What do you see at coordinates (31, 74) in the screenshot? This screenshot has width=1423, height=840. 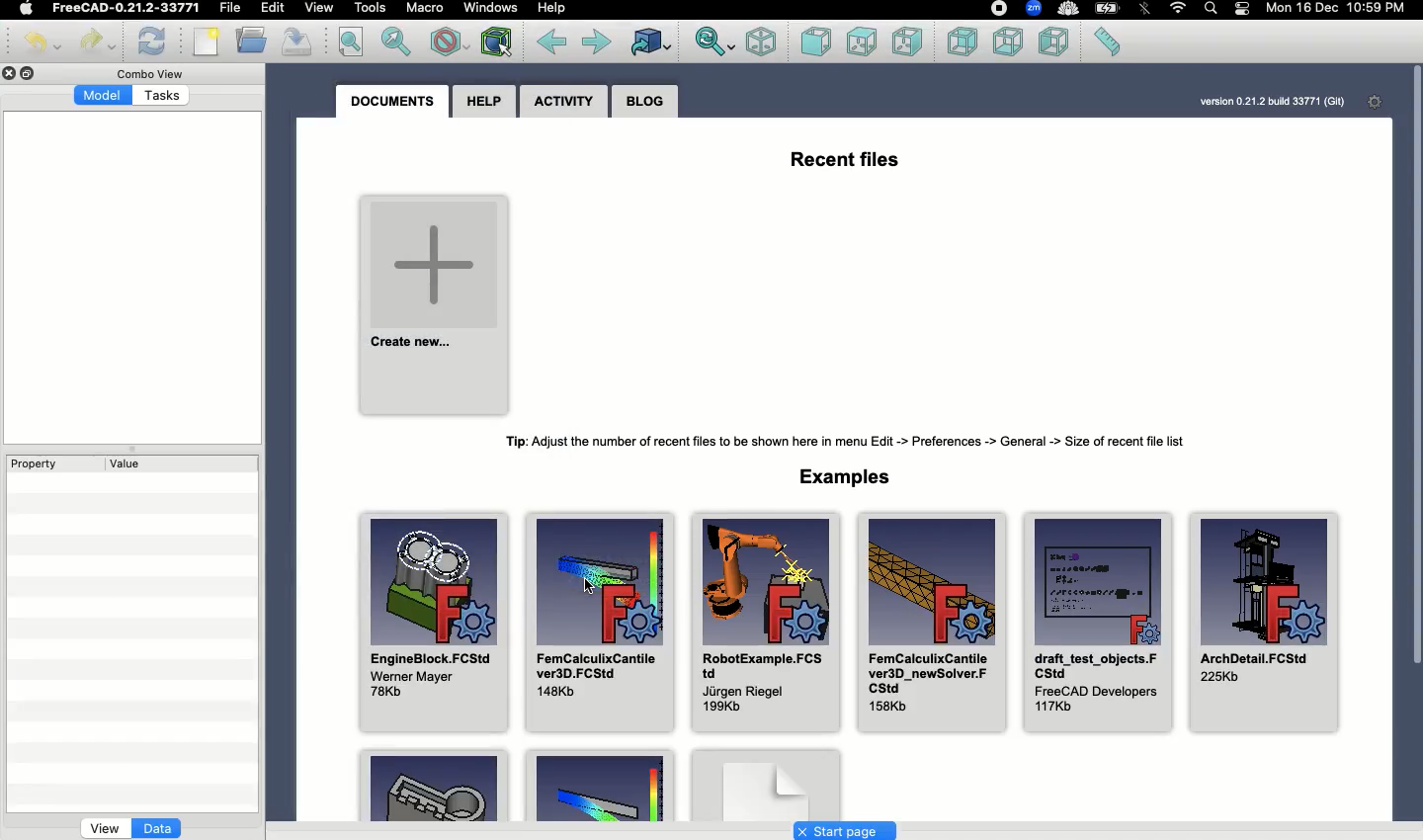 I see `Duplicate` at bounding box center [31, 74].